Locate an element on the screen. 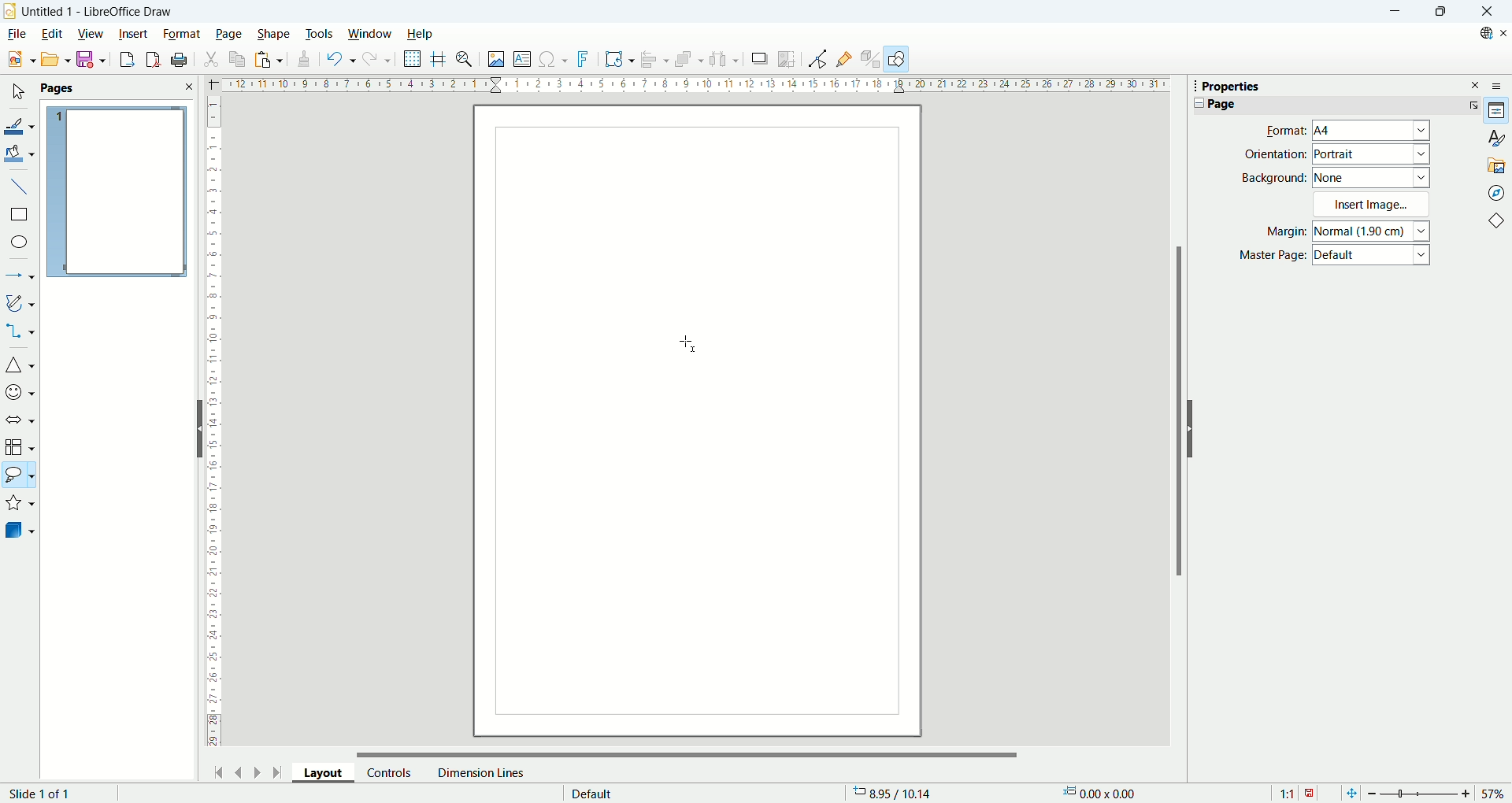  Hide is located at coordinates (1194, 428).